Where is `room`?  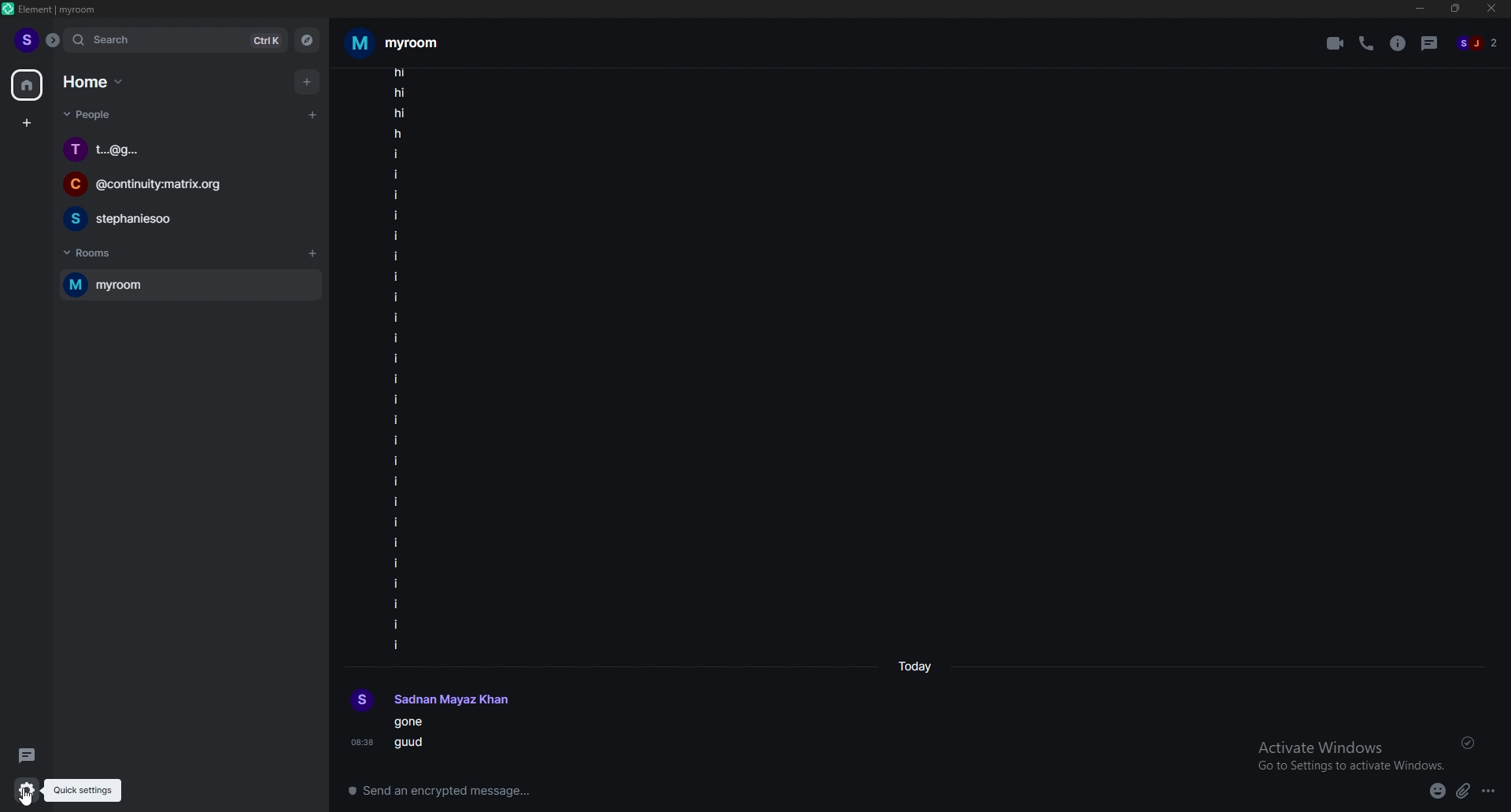
room is located at coordinates (407, 42).